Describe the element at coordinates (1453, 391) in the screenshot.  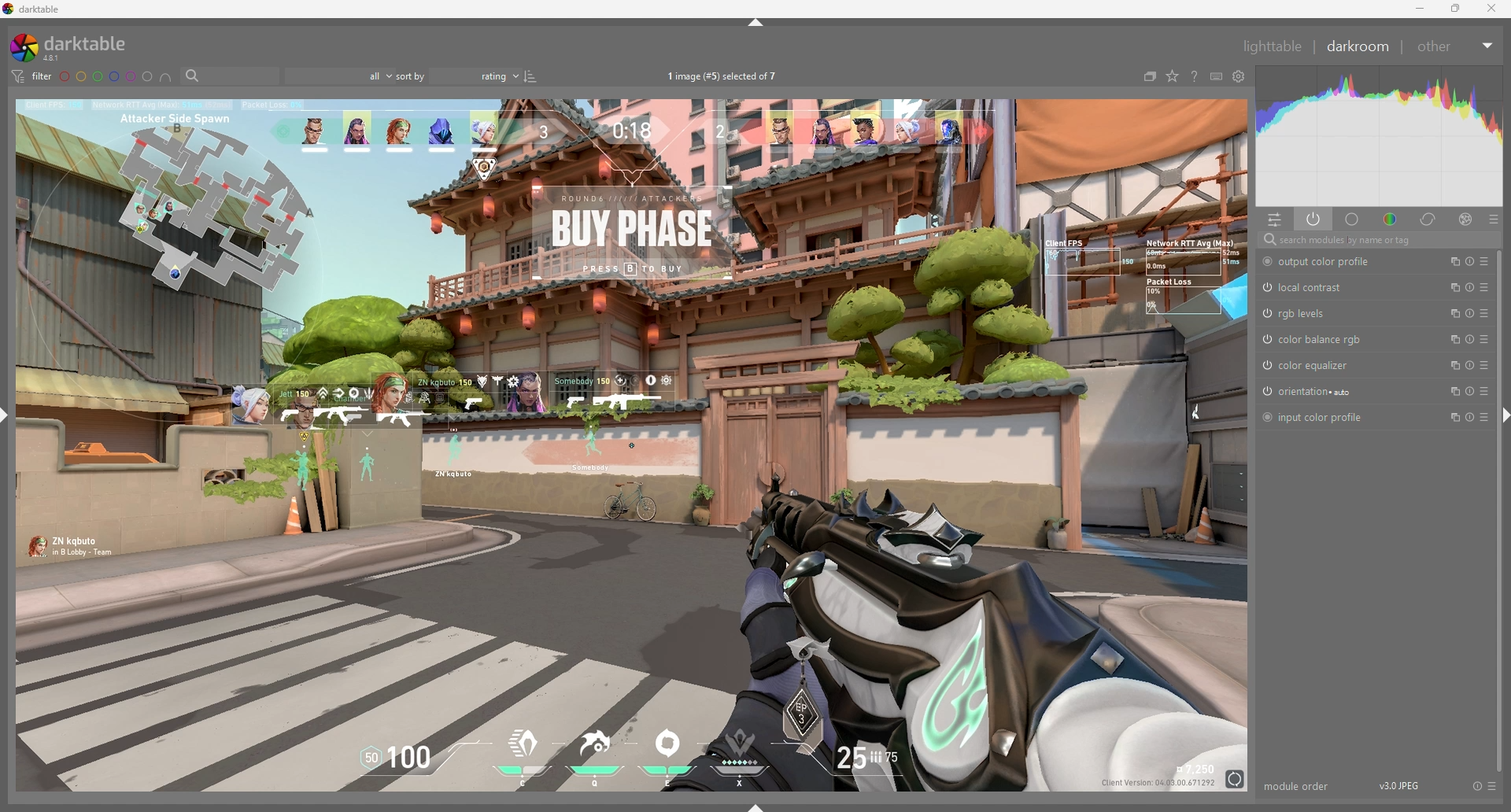
I see `multiple instances action` at that location.